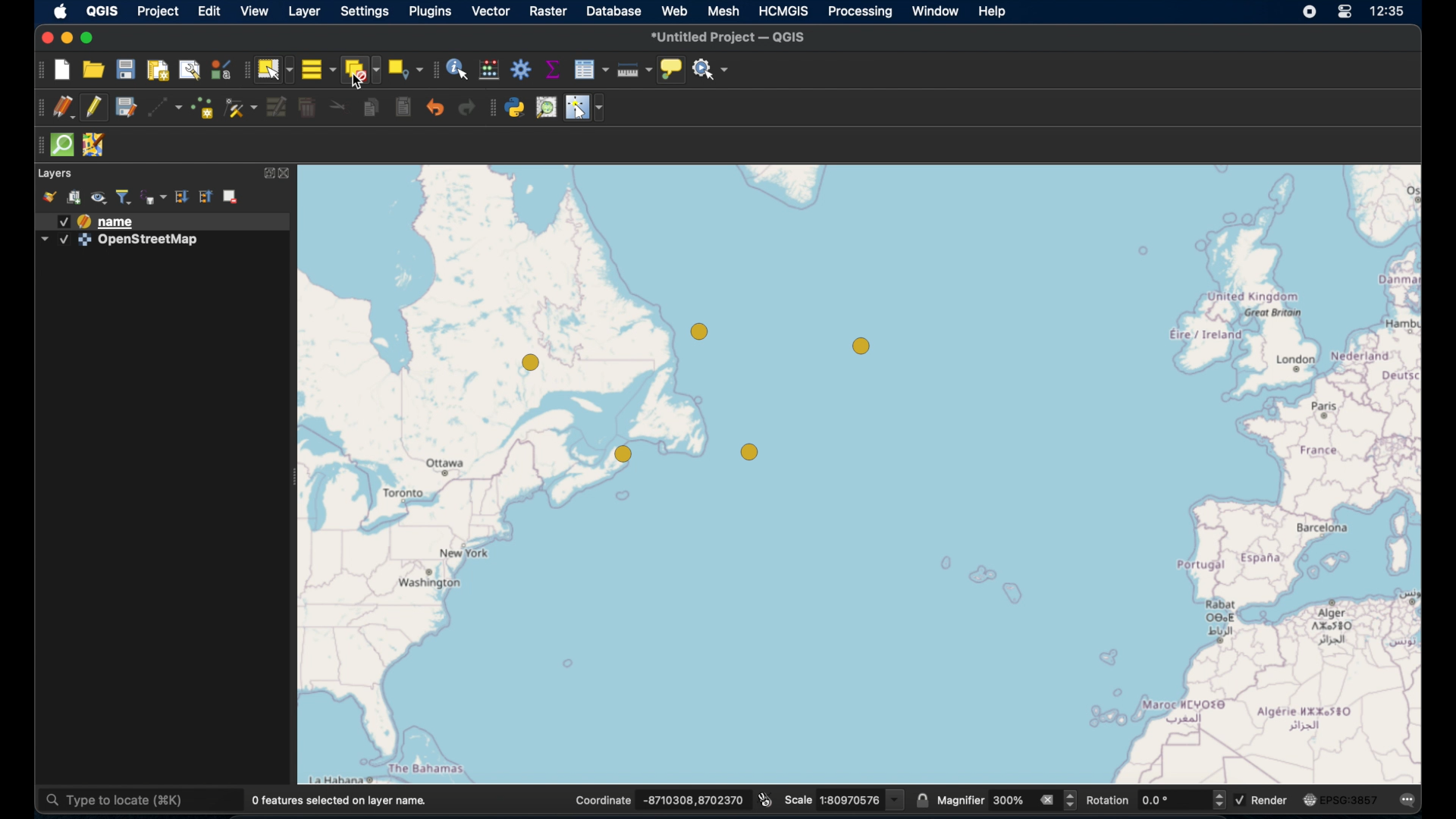 The width and height of the screenshot is (1456, 819). Describe the element at coordinates (1351, 799) in the screenshot. I see `EPSG:3857` at that location.